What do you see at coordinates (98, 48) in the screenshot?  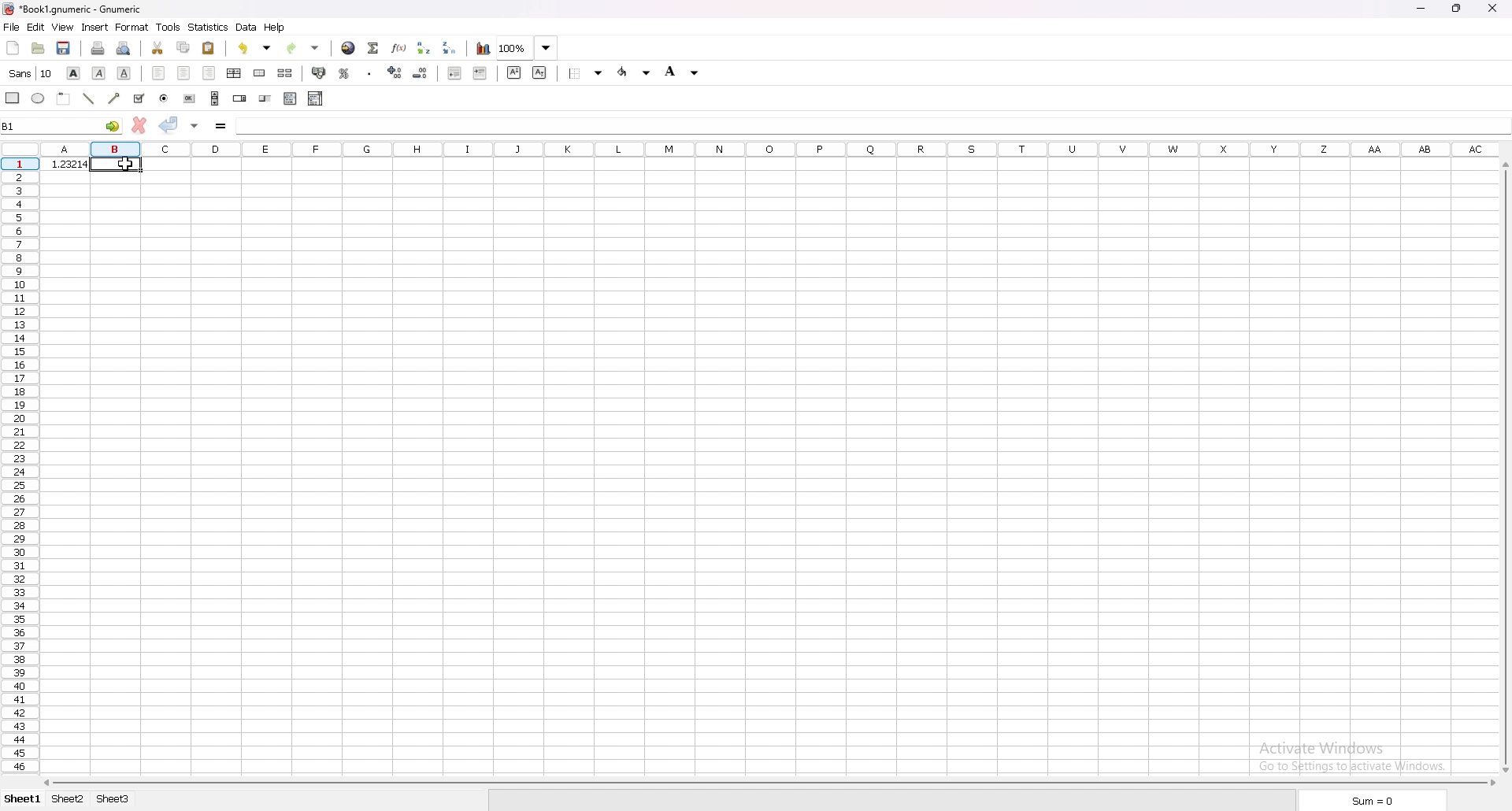 I see `print` at bounding box center [98, 48].